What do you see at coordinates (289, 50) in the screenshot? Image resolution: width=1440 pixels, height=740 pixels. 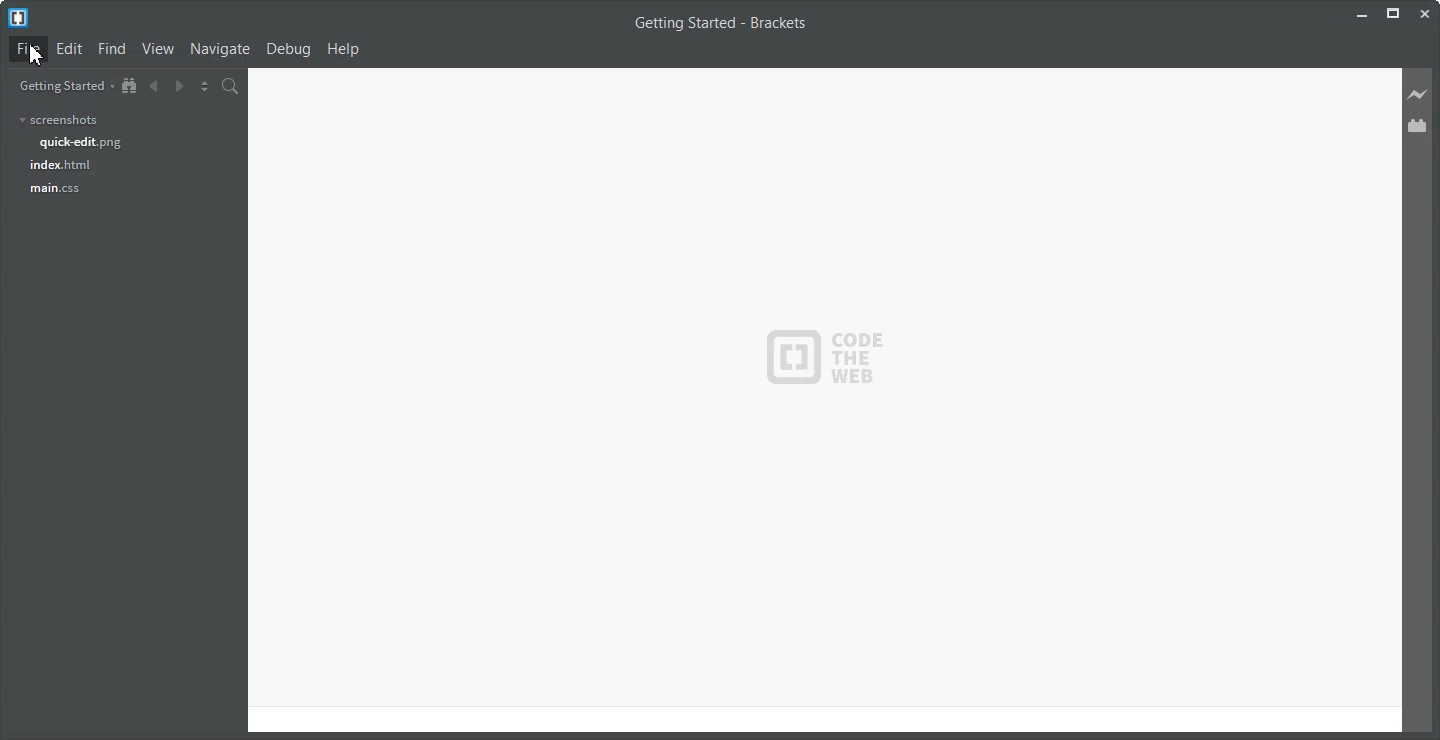 I see `Debug` at bounding box center [289, 50].